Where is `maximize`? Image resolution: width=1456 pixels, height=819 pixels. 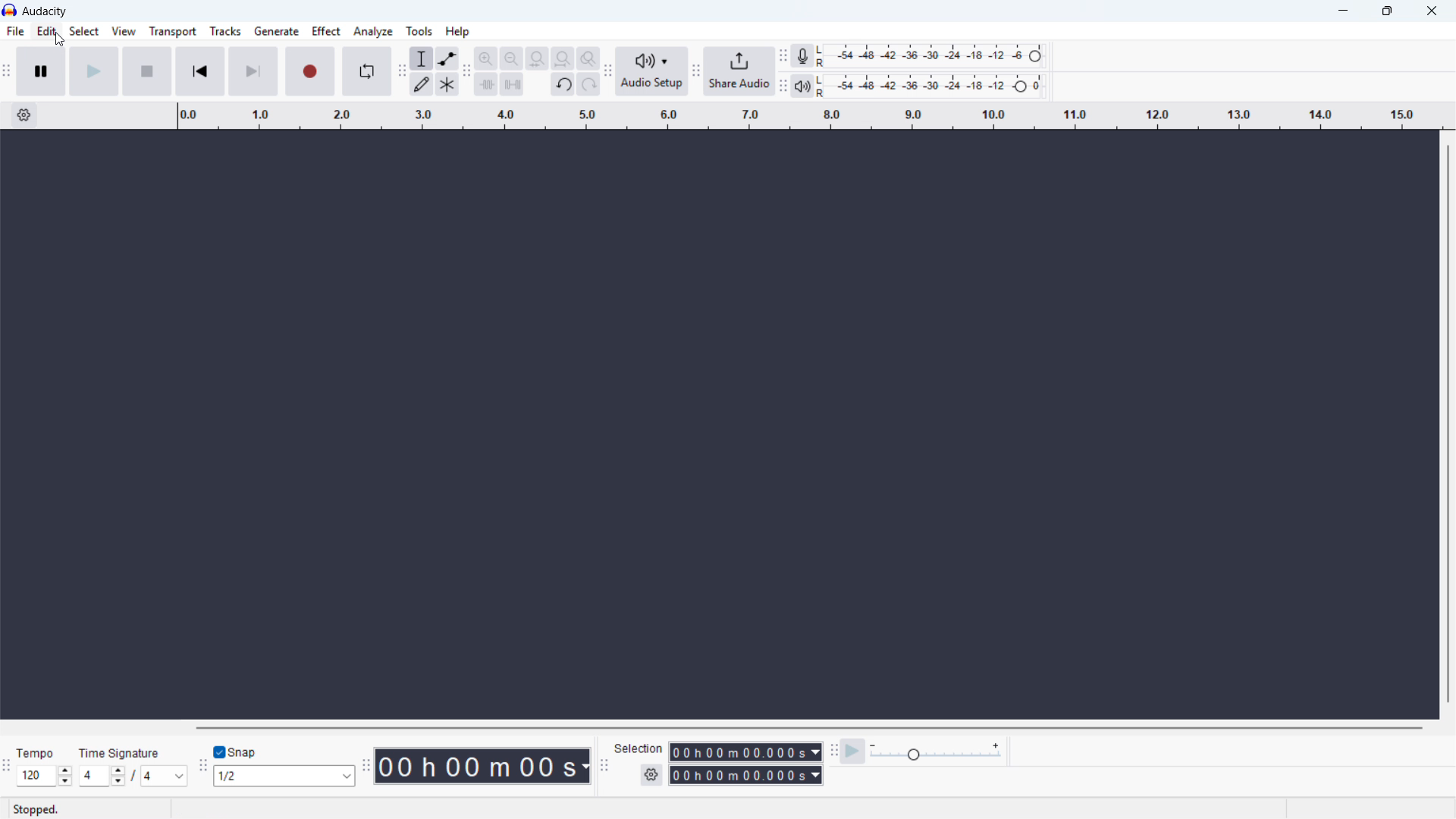
maximize is located at coordinates (1386, 11).